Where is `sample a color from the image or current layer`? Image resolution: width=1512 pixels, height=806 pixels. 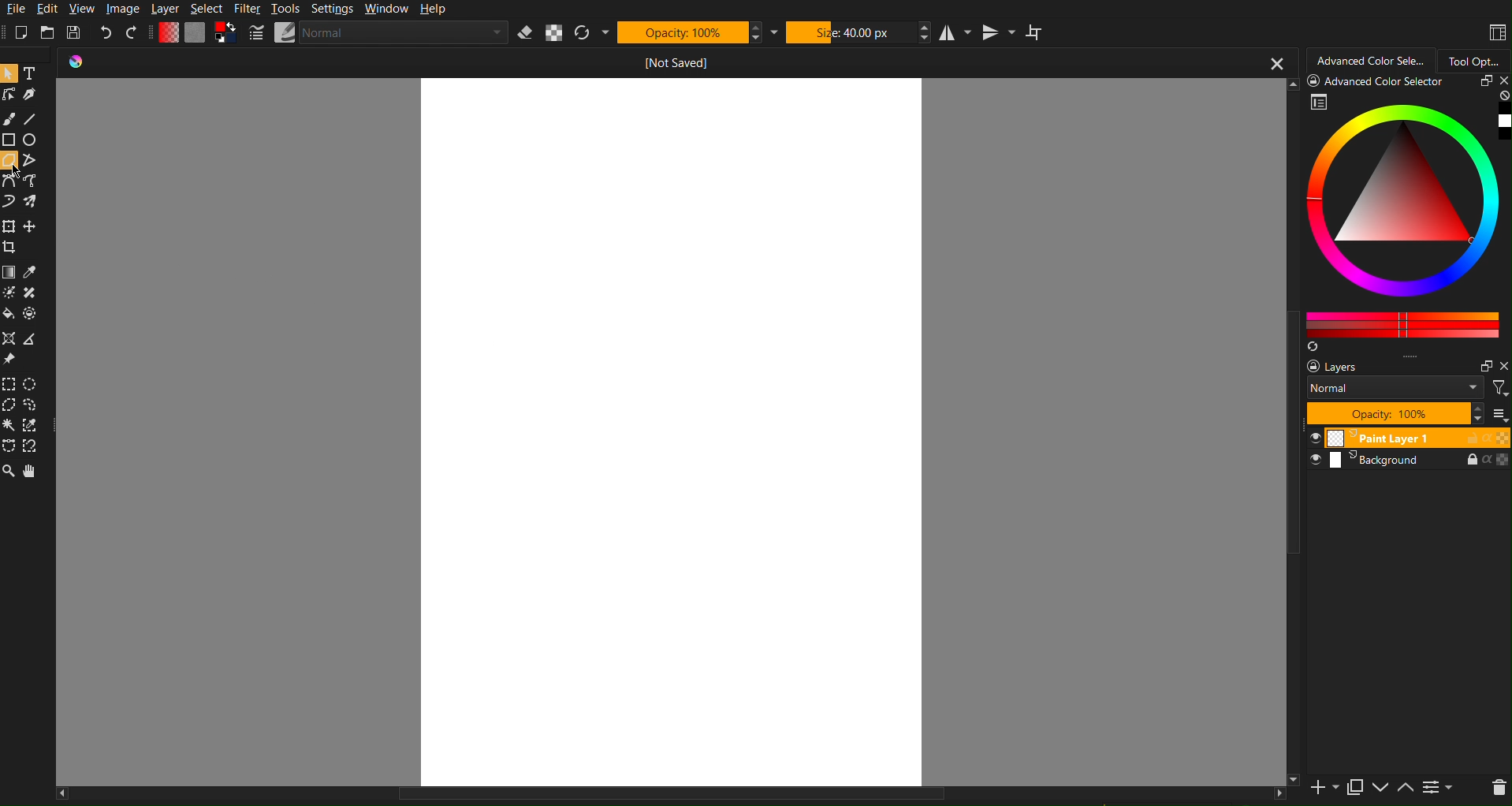 sample a color from the image or current layer is located at coordinates (32, 271).